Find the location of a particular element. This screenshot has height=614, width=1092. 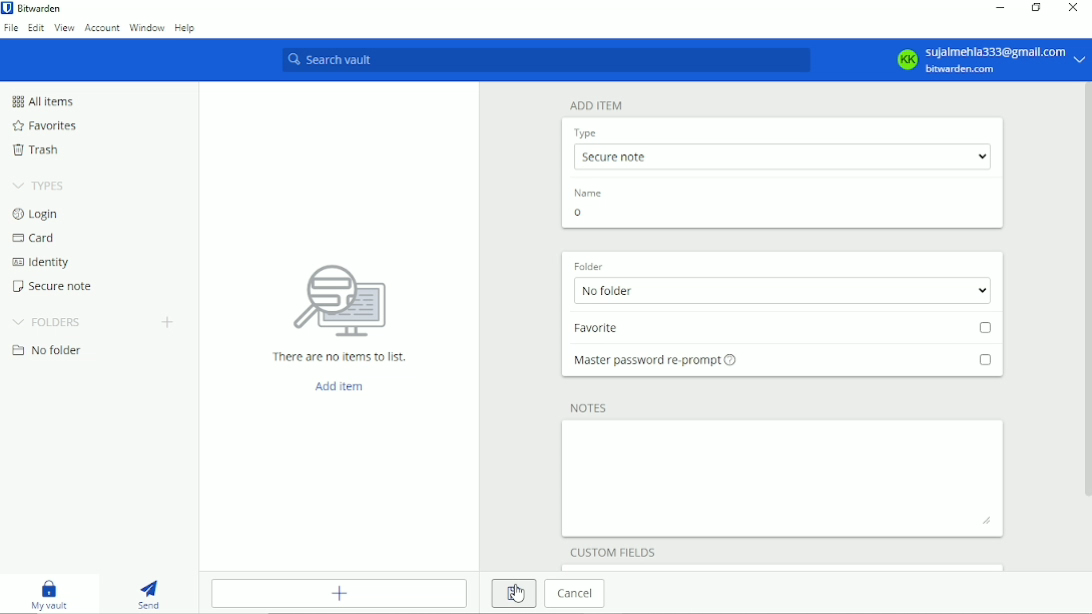

All items is located at coordinates (41, 101).